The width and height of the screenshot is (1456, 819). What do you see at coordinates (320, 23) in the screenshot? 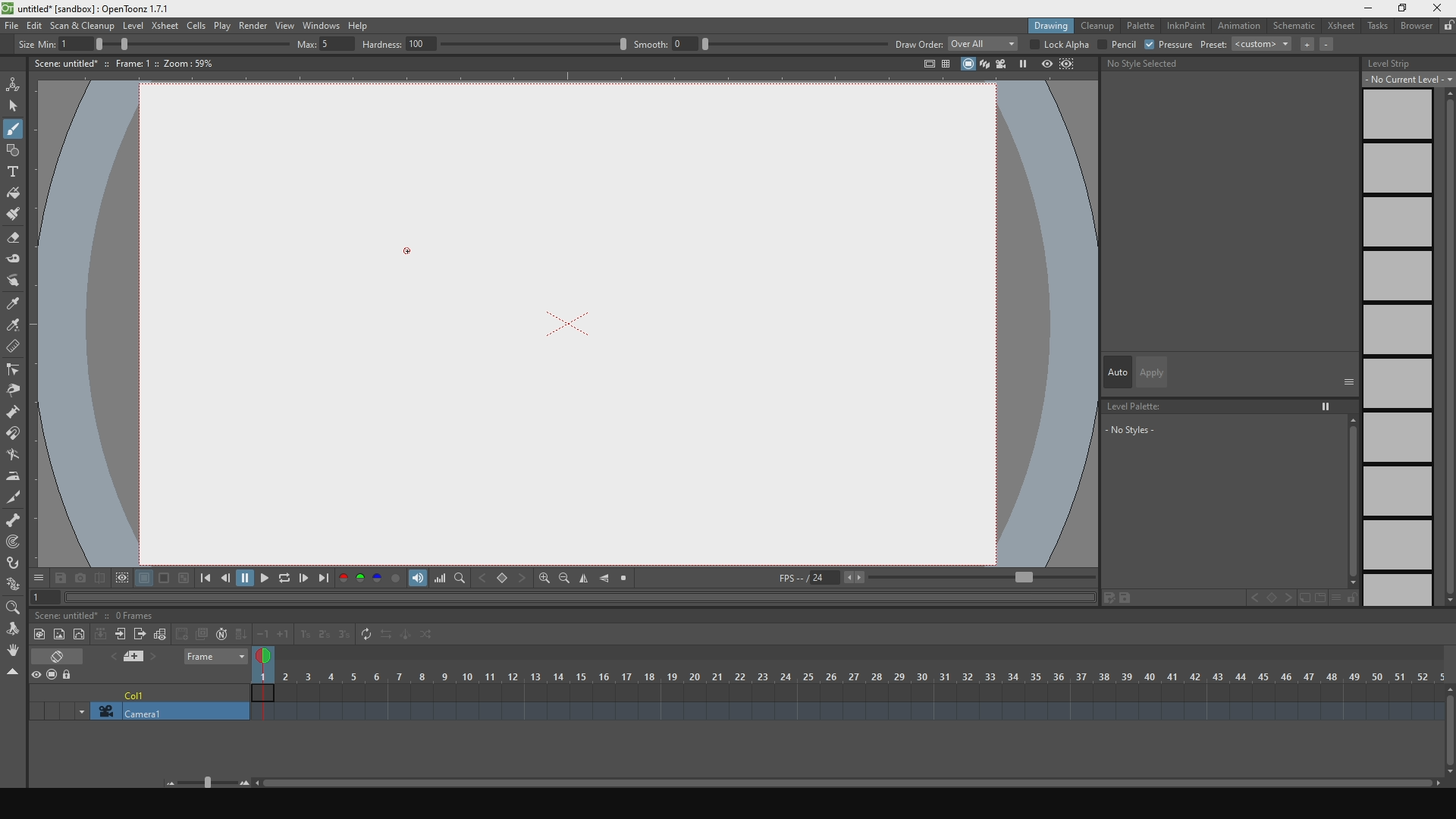
I see `windows` at bounding box center [320, 23].